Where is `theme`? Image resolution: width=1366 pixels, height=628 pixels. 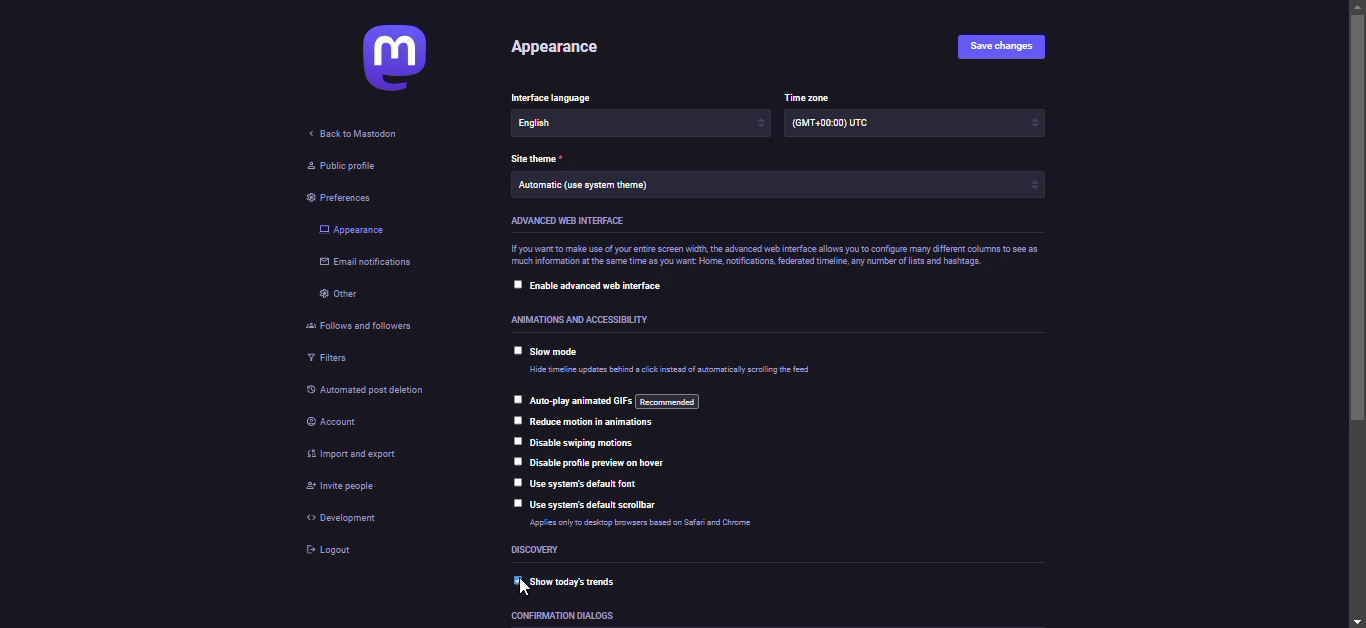
theme is located at coordinates (538, 160).